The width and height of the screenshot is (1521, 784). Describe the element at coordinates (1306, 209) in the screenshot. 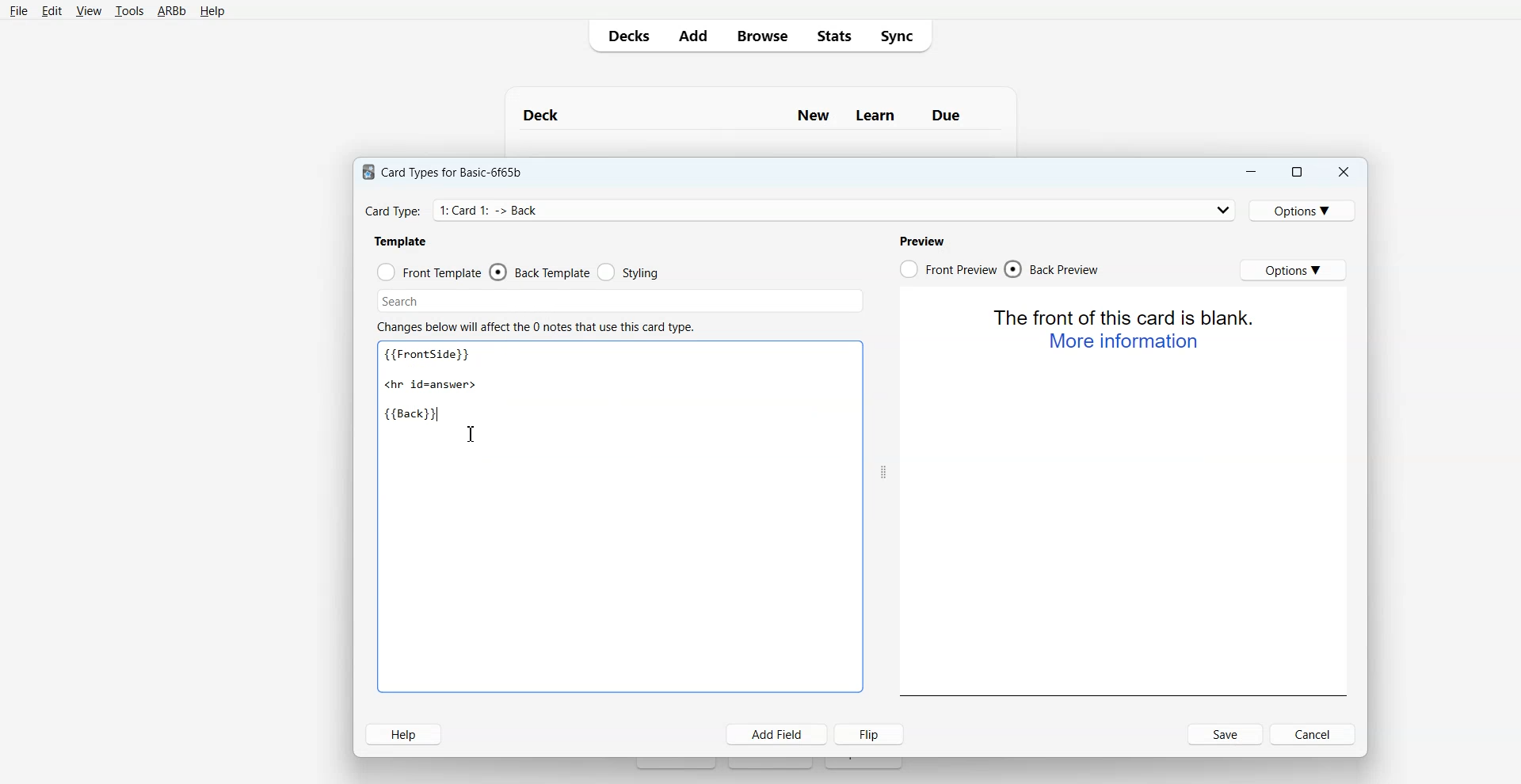

I see `Options` at that location.